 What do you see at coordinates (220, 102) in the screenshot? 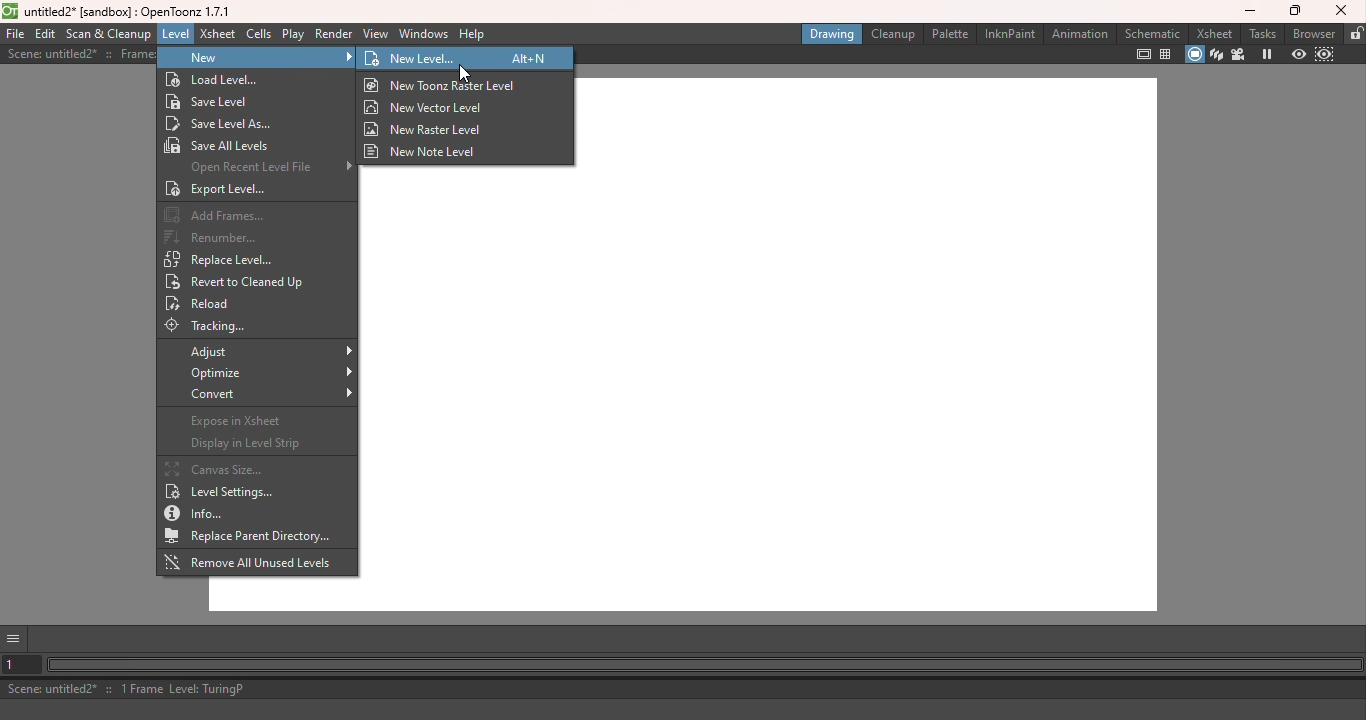
I see `Save level` at bounding box center [220, 102].